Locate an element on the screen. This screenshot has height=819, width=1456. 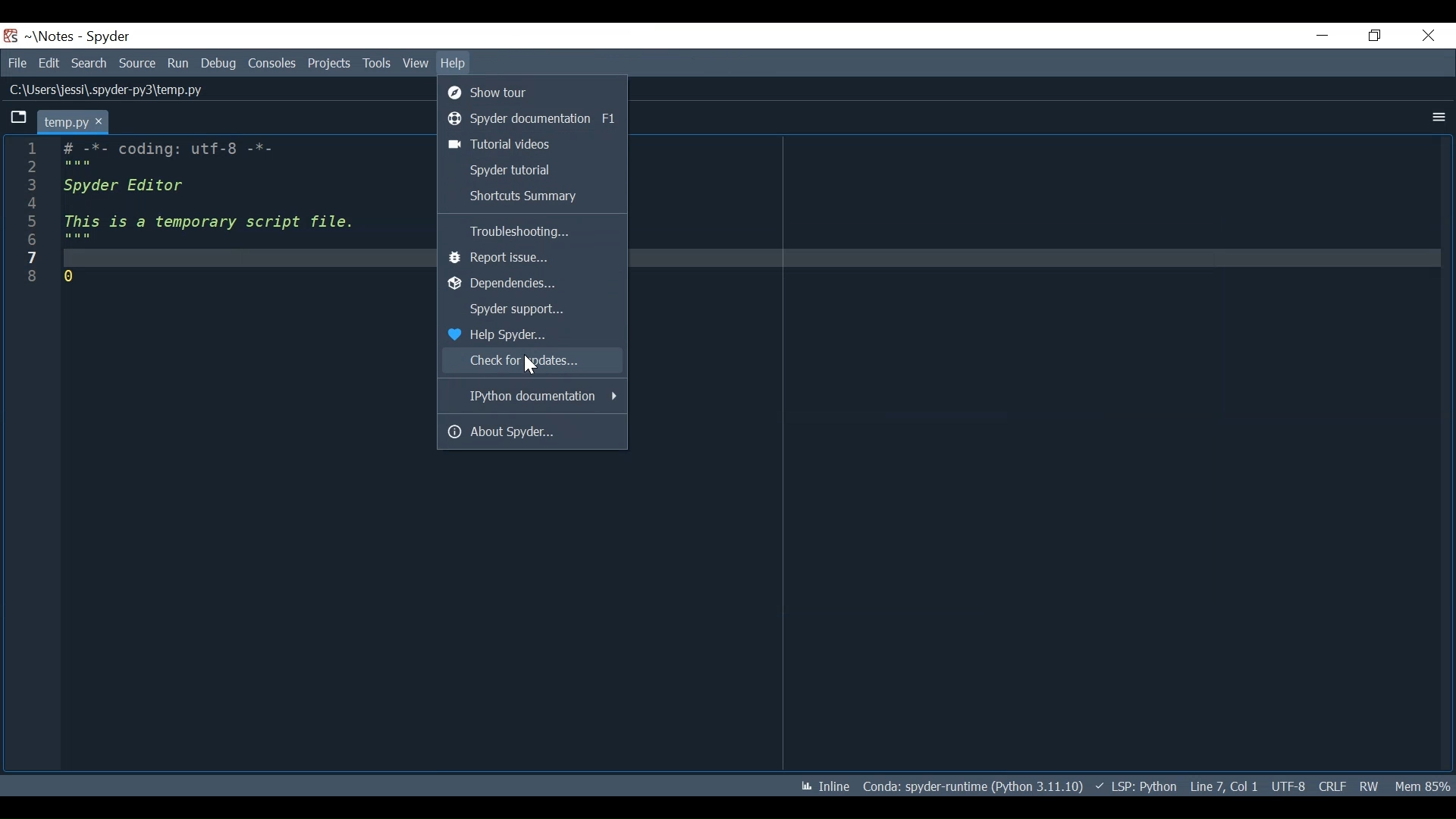
Source is located at coordinates (137, 63).